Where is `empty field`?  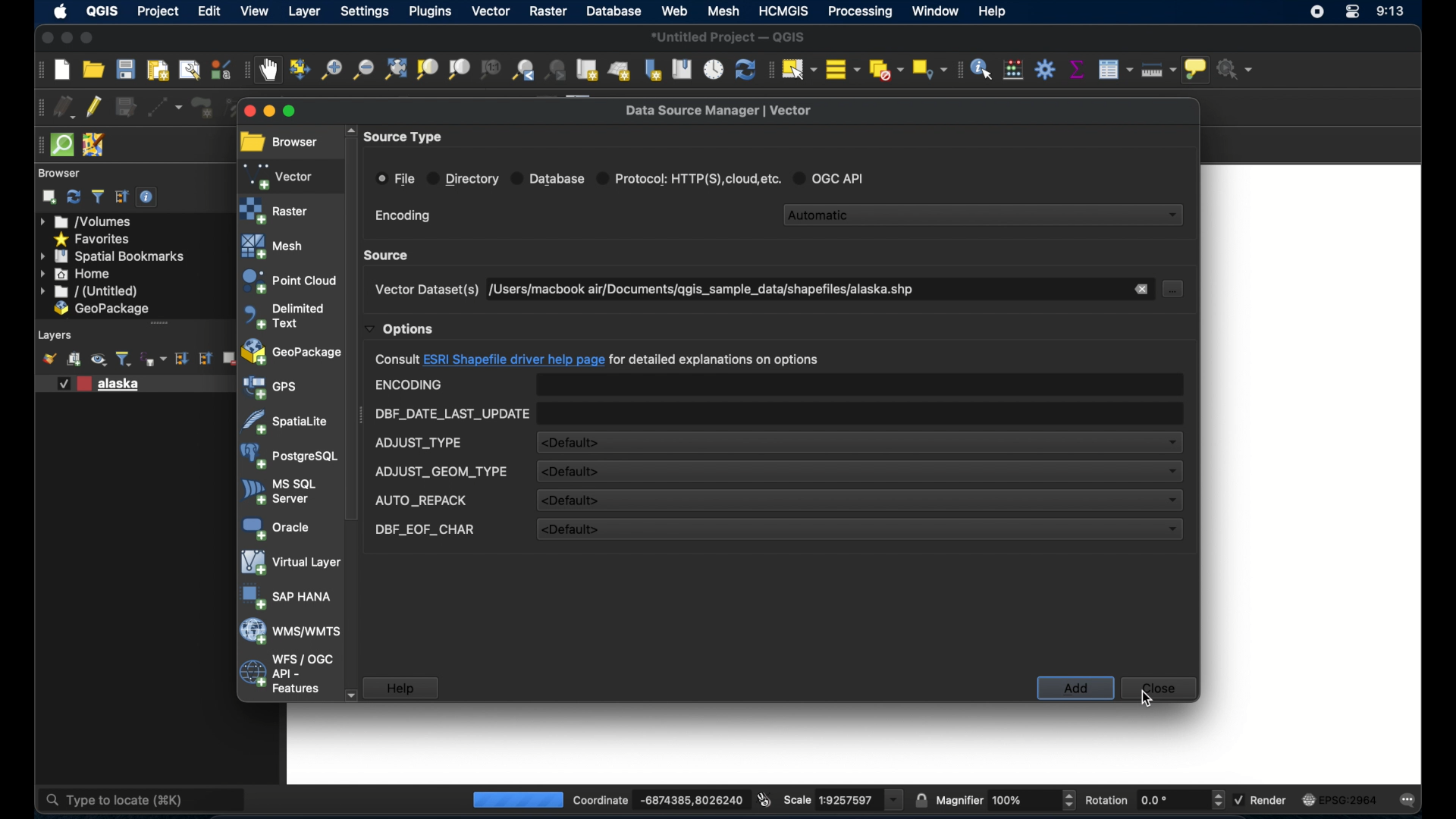 empty field is located at coordinates (860, 384).